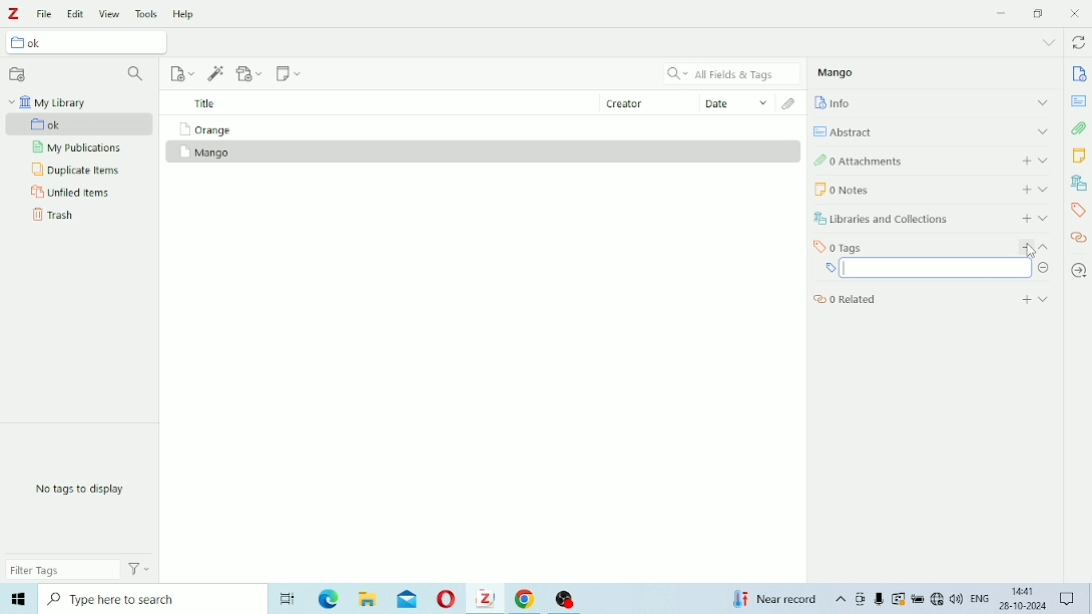 The width and height of the screenshot is (1092, 614). I want to click on Libraries and Collections, so click(931, 218).